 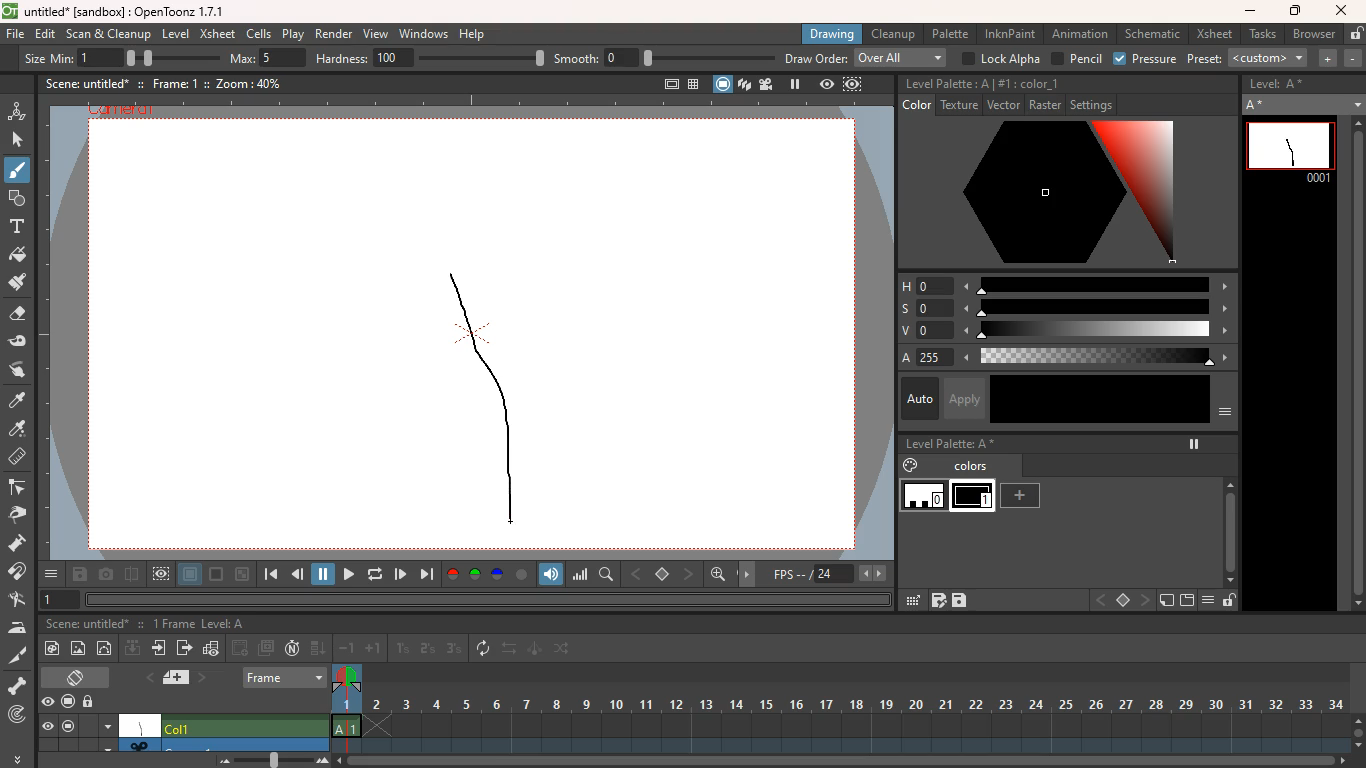 I want to click on beggining, so click(x=268, y=575).